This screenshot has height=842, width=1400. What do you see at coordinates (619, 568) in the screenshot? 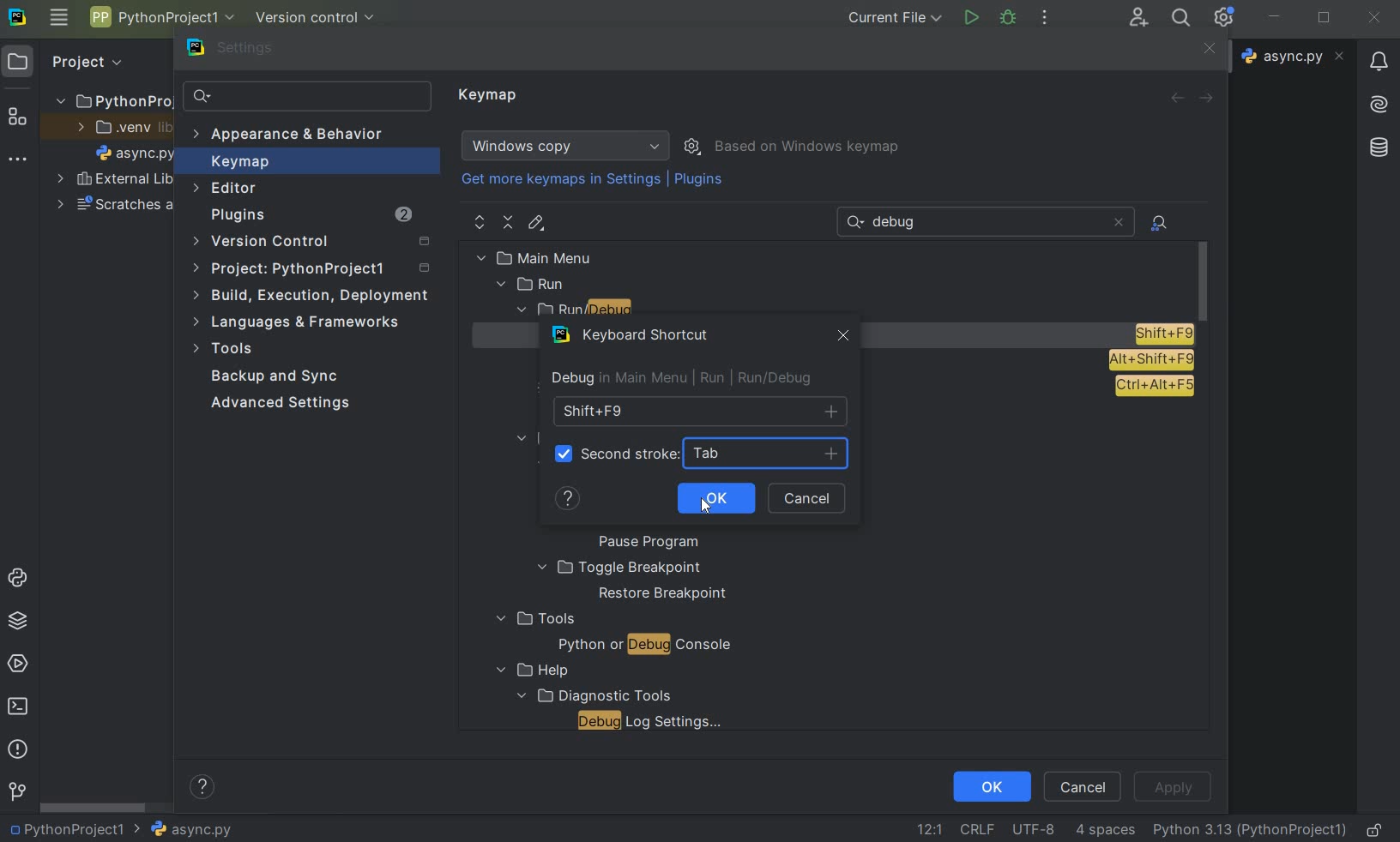
I see `toggle breakpoint` at bounding box center [619, 568].